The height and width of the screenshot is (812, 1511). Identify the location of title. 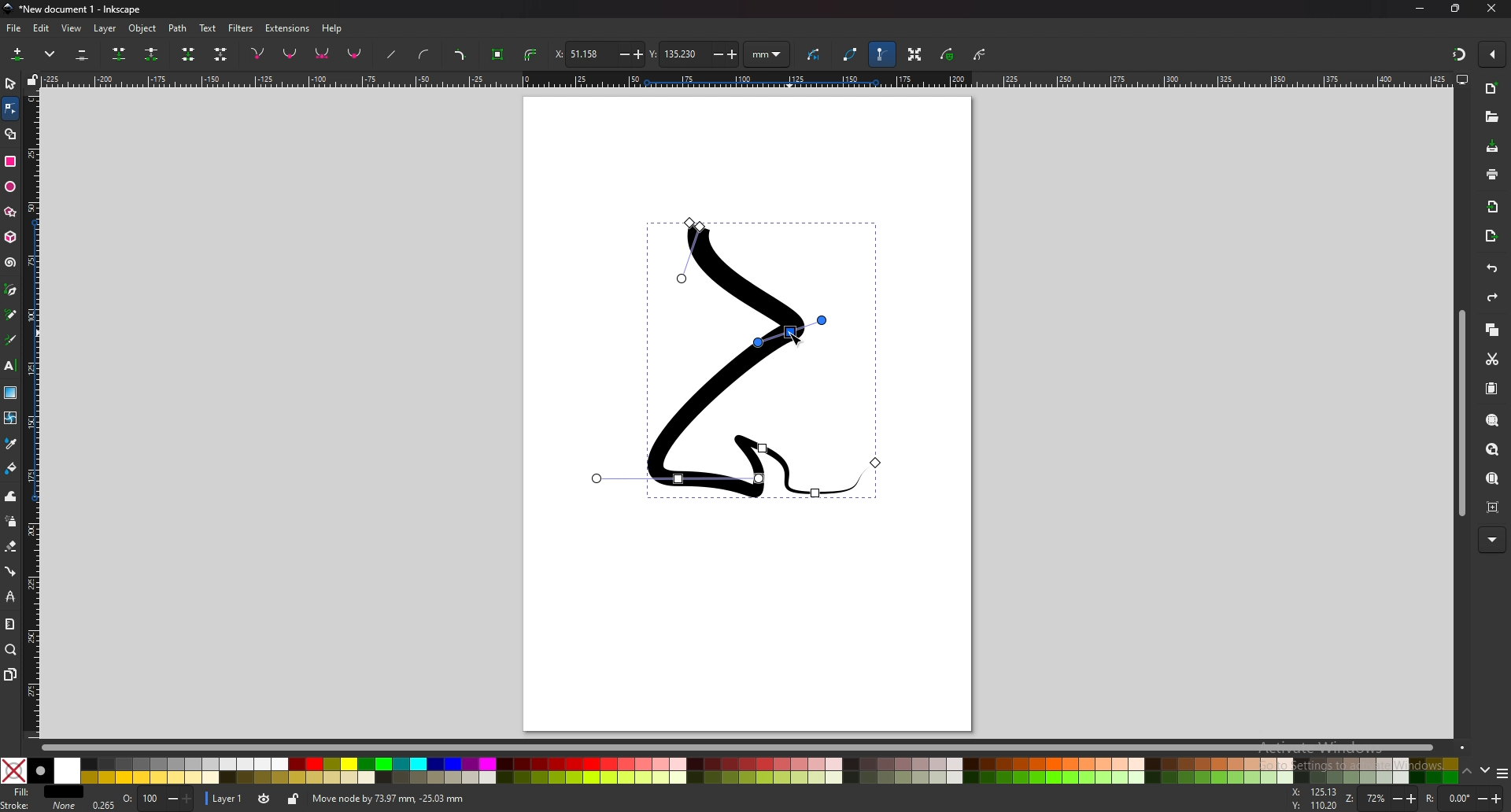
(86, 9).